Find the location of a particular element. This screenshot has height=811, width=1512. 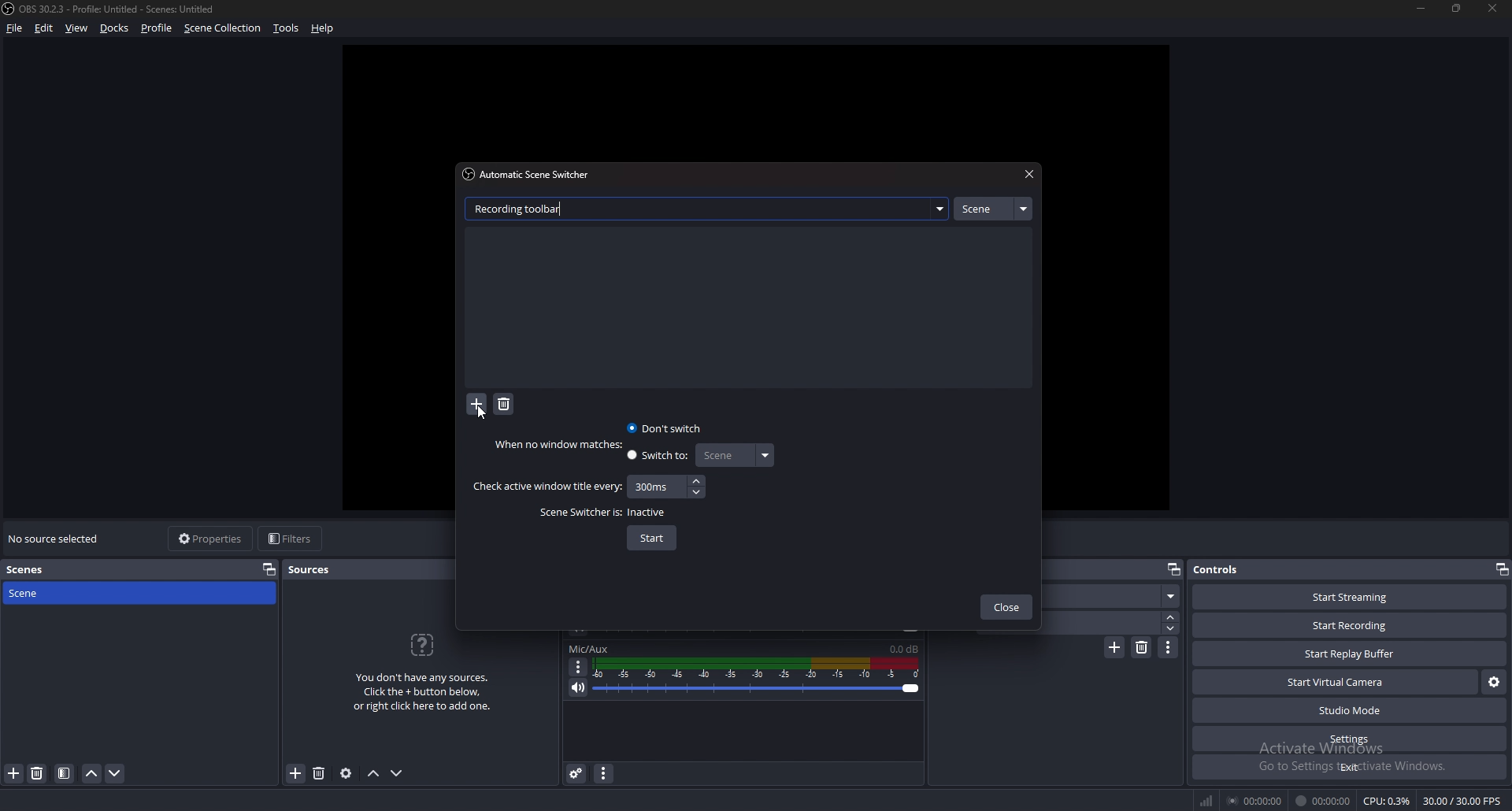

scene is located at coordinates (992, 209).